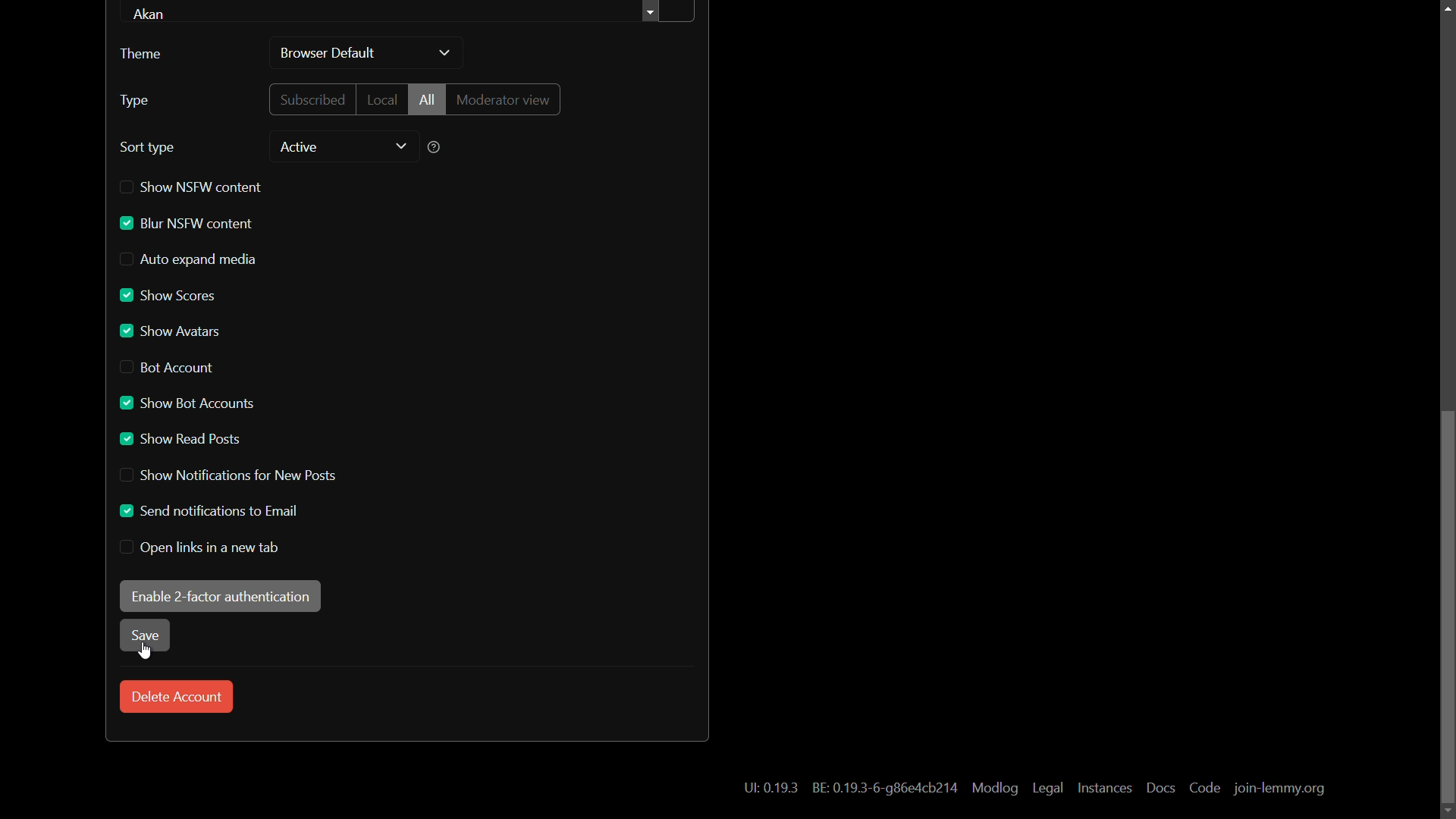  What do you see at coordinates (993, 789) in the screenshot?
I see `modlog` at bounding box center [993, 789].